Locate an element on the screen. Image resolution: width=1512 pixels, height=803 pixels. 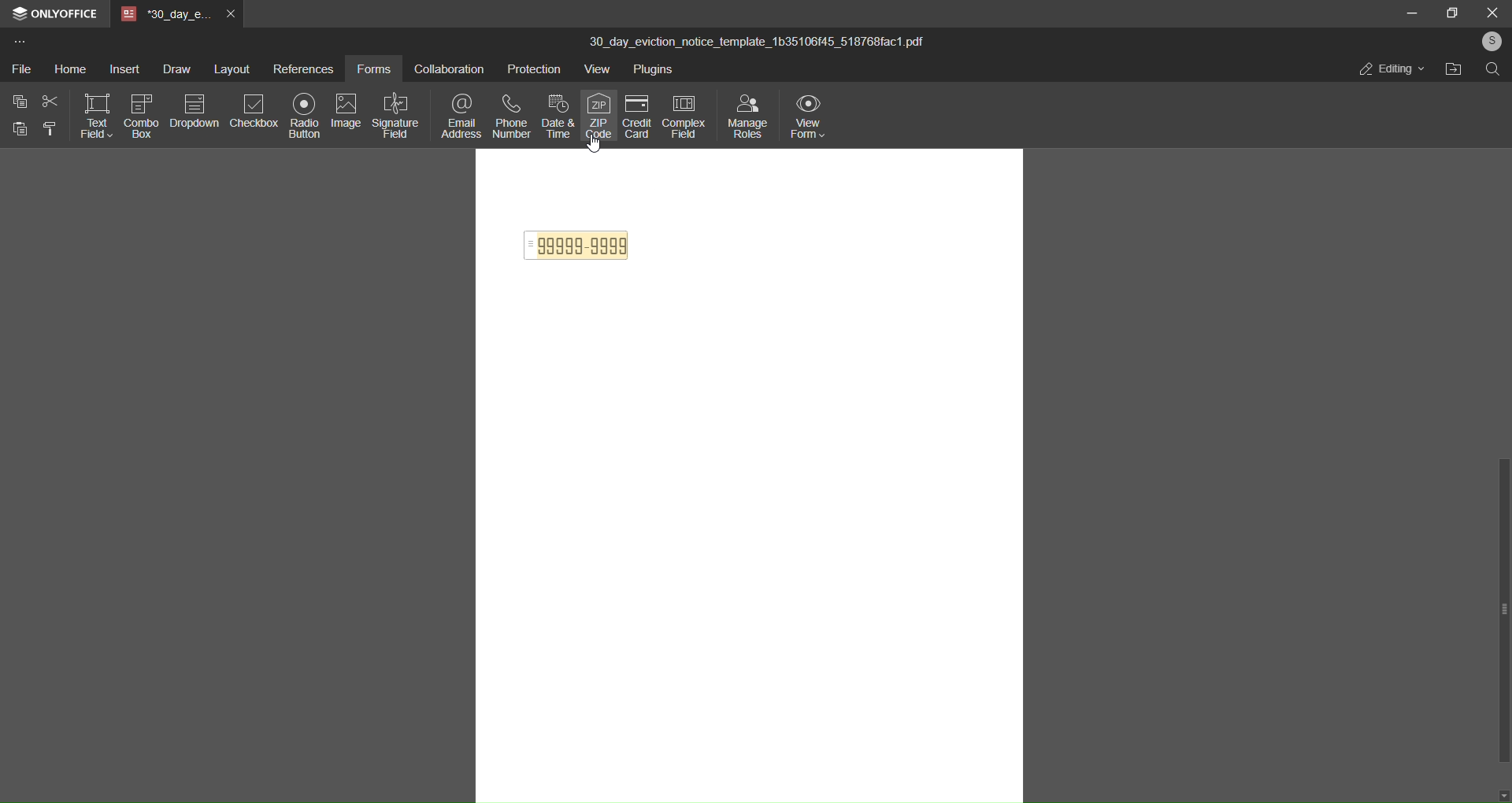
format is located at coordinates (50, 130).